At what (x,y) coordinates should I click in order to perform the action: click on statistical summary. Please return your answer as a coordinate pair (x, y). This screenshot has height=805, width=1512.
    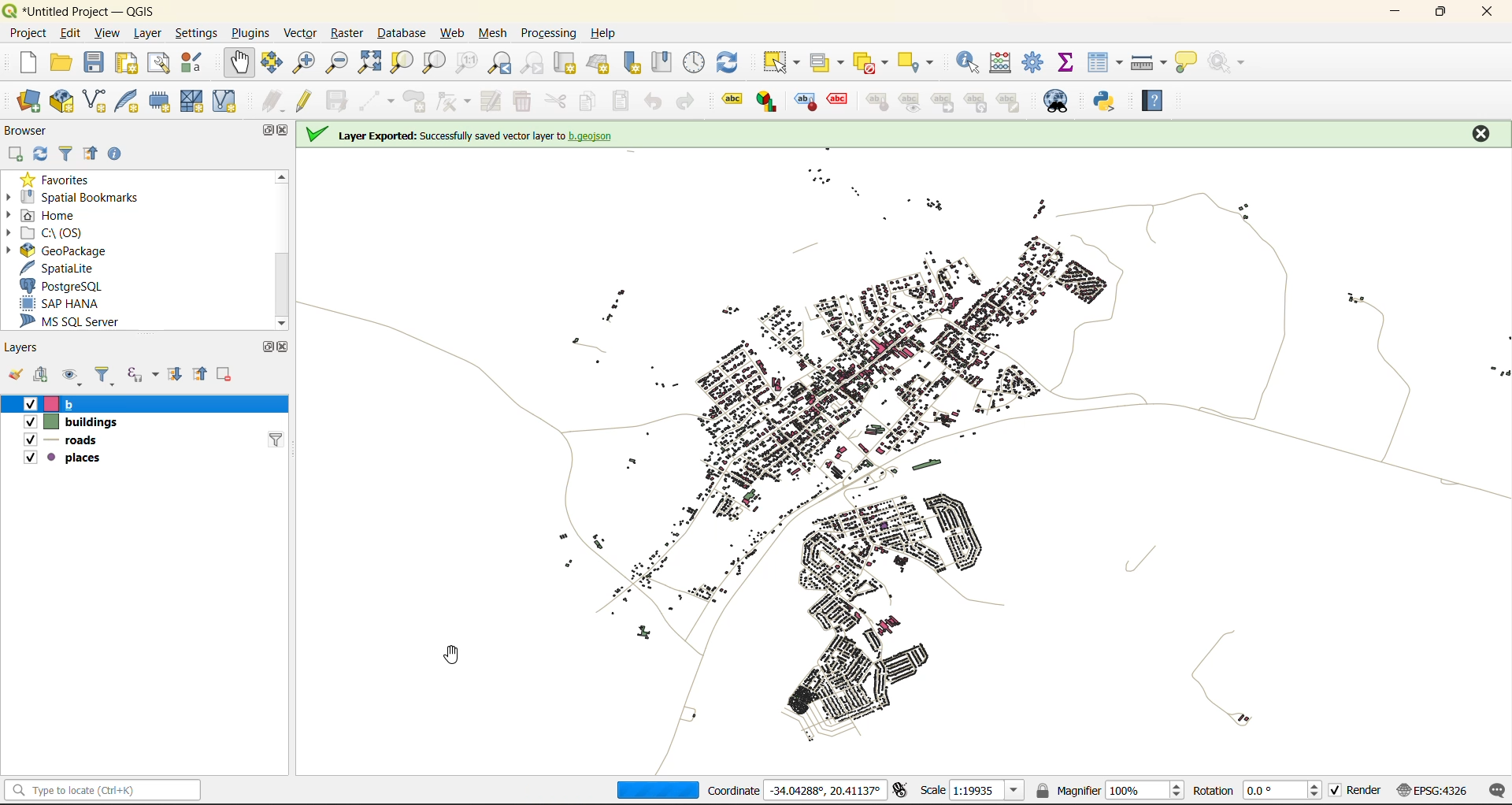
    Looking at the image, I should click on (1068, 62).